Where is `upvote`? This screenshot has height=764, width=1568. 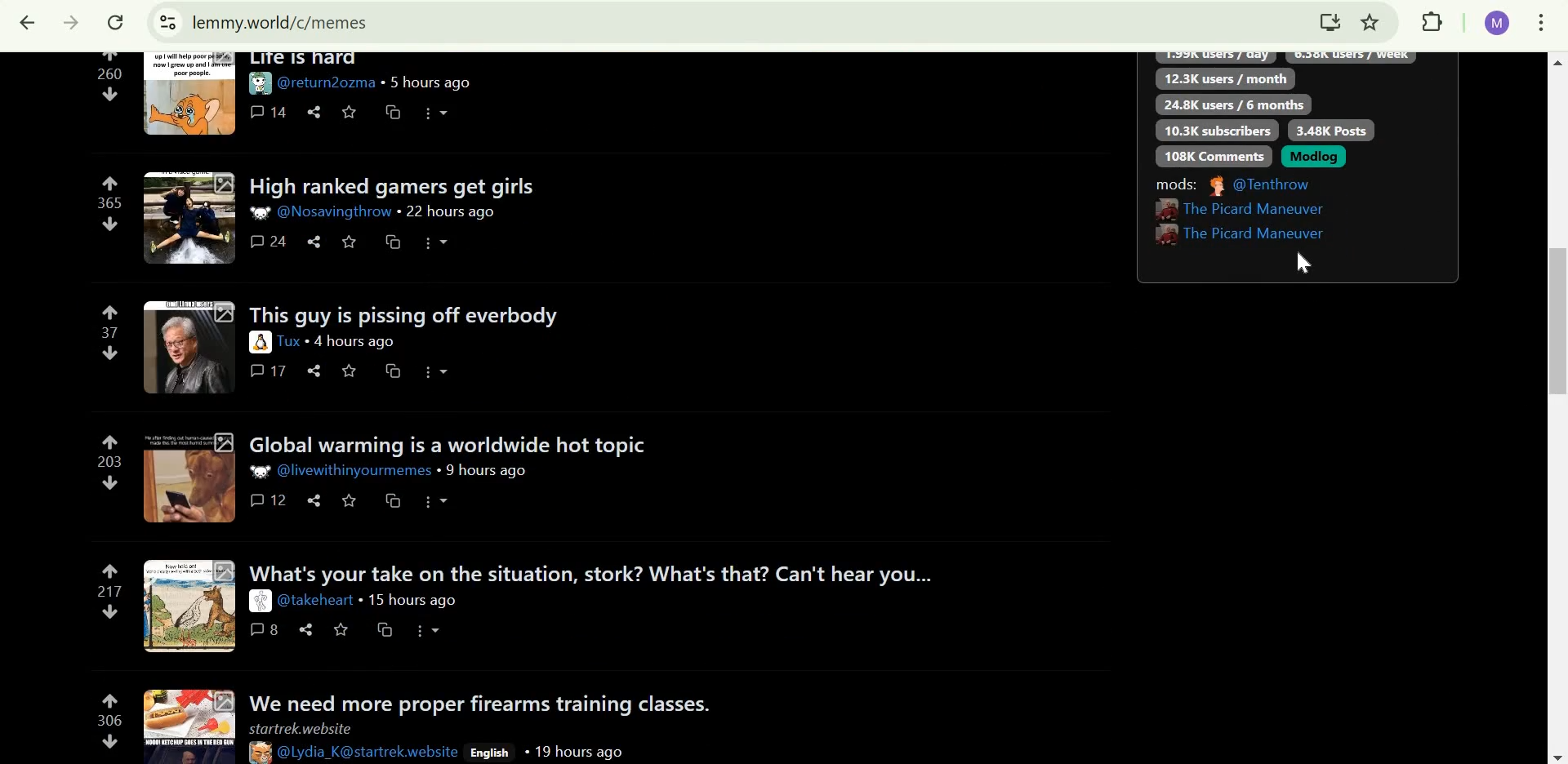 upvote is located at coordinates (109, 57).